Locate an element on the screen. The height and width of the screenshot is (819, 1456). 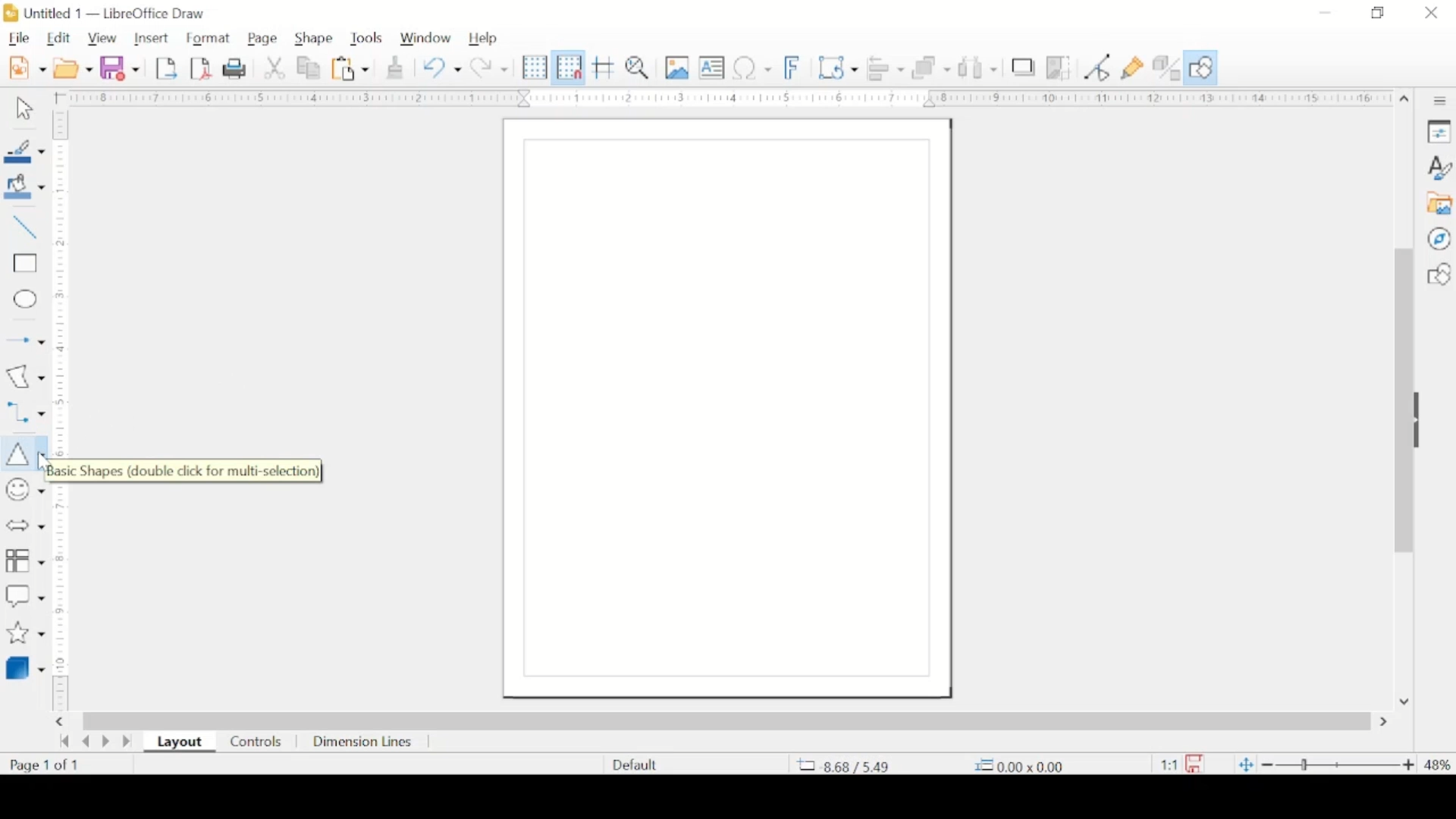
transformations is located at coordinates (838, 66).